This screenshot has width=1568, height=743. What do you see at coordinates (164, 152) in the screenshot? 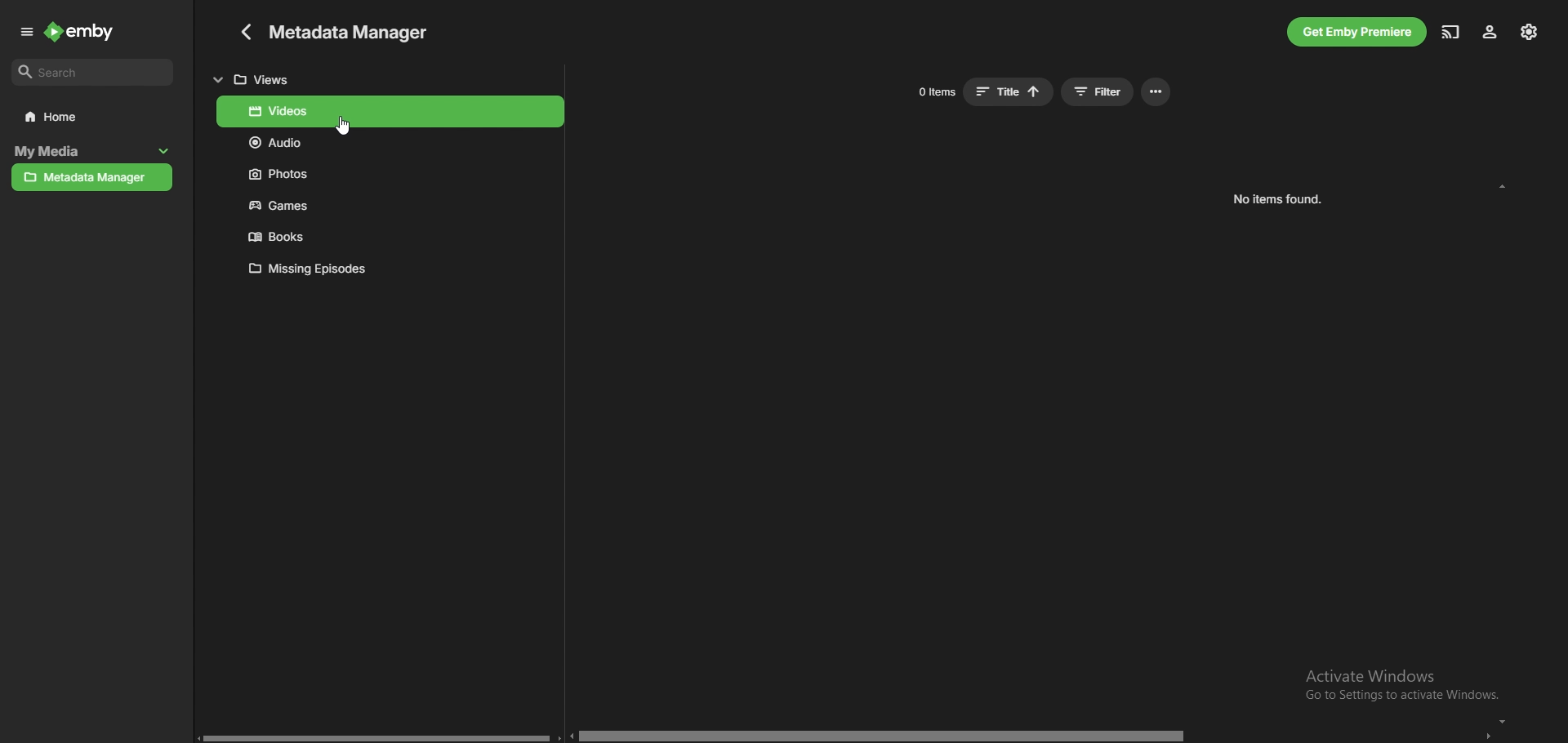
I see `collapse` at bounding box center [164, 152].